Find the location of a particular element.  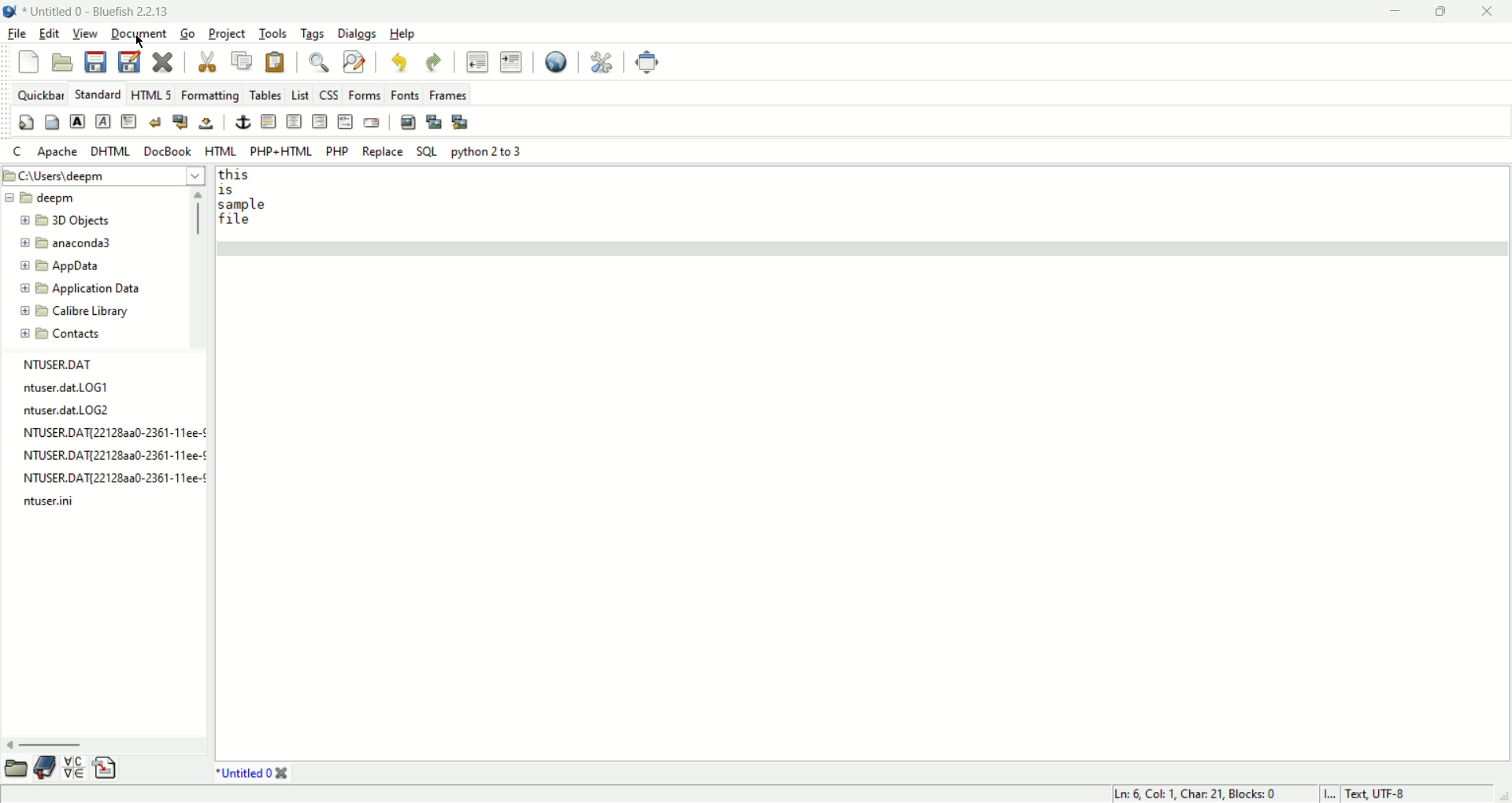

CSS is located at coordinates (331, 94).